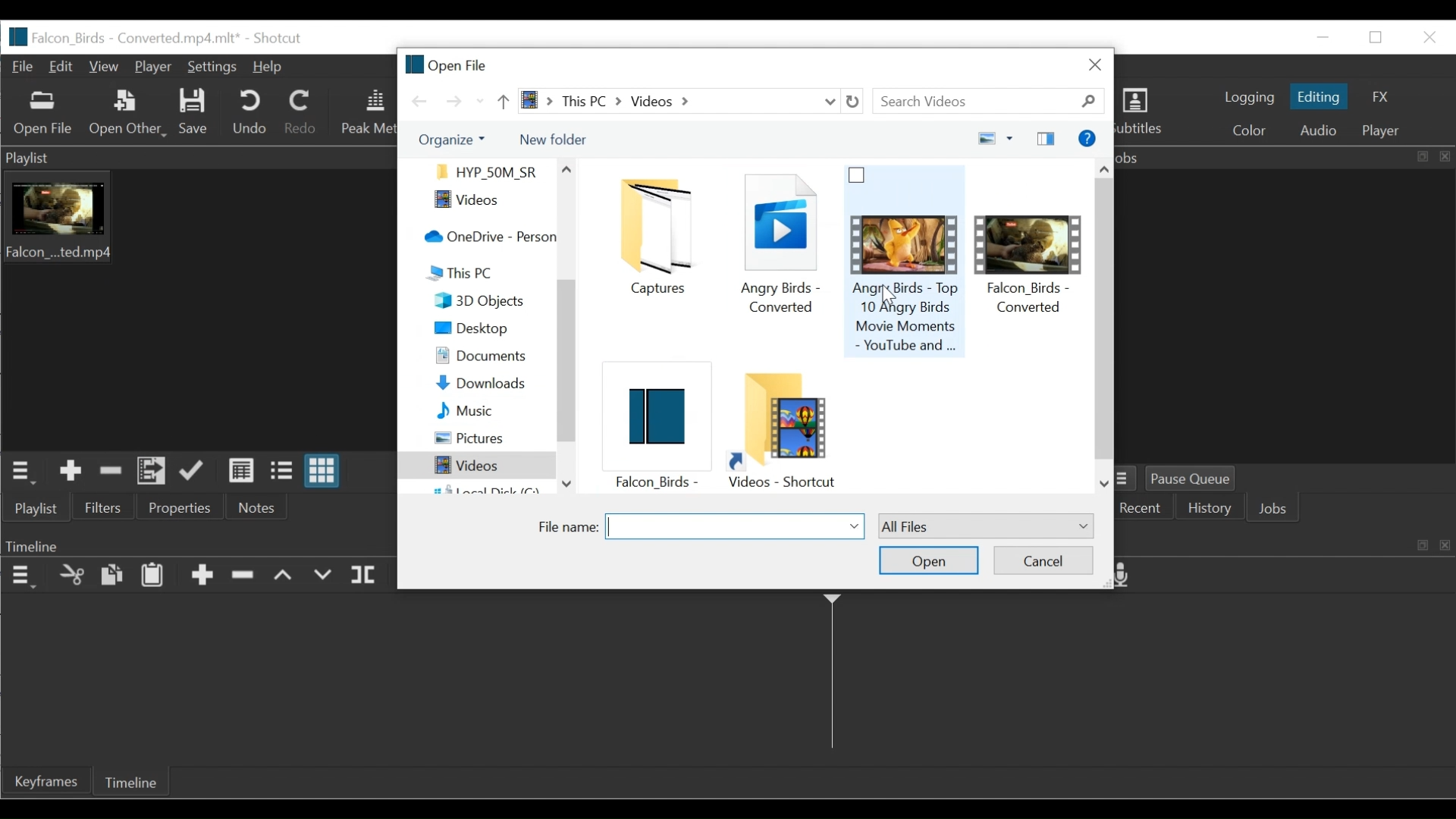  Describe the element at coordinates (1198, 479) in the screenshot. I see `Pause Queue` at that location.